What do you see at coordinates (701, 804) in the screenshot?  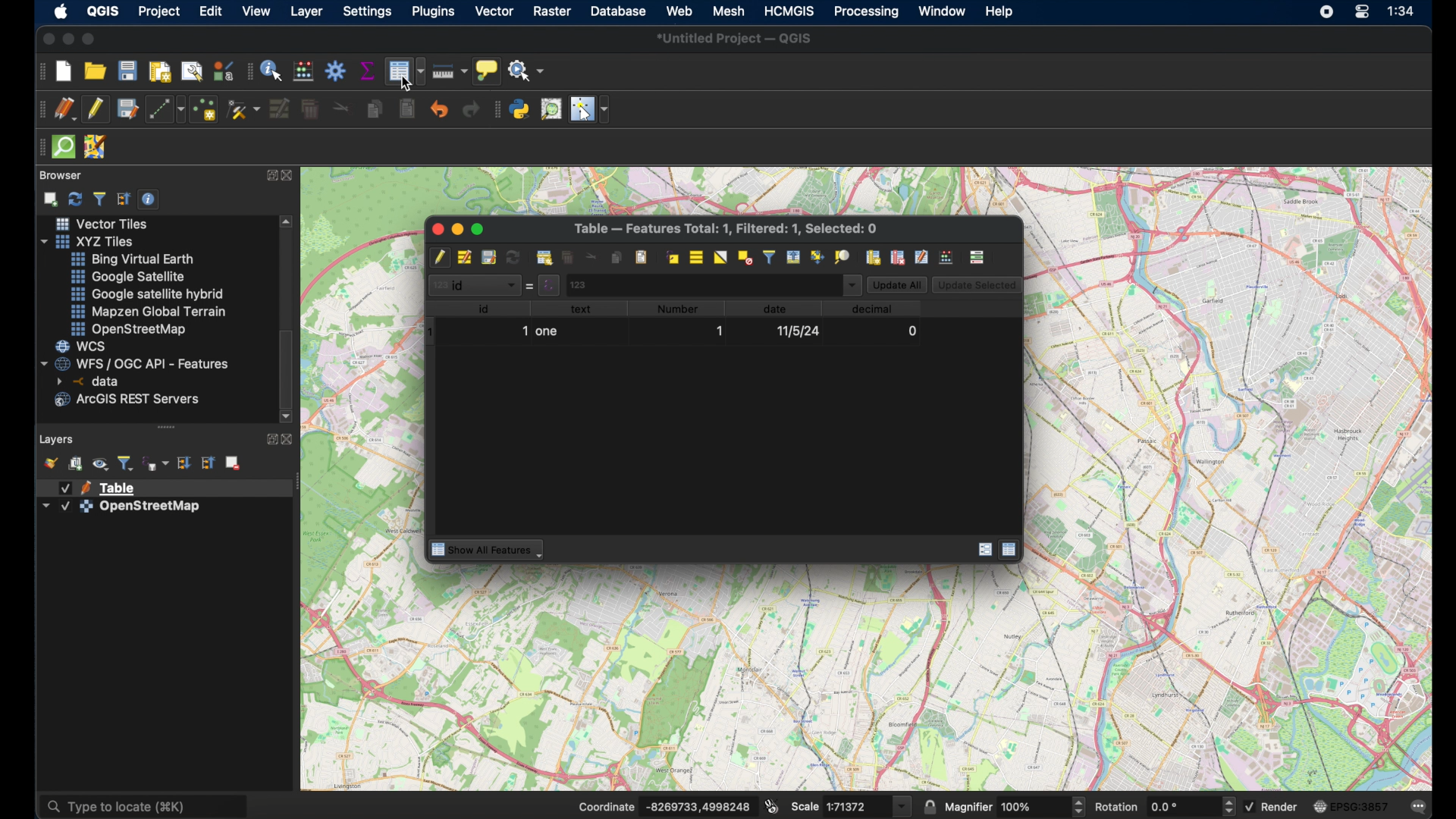 I see `coordinate value` at bounding box center [701, 804].